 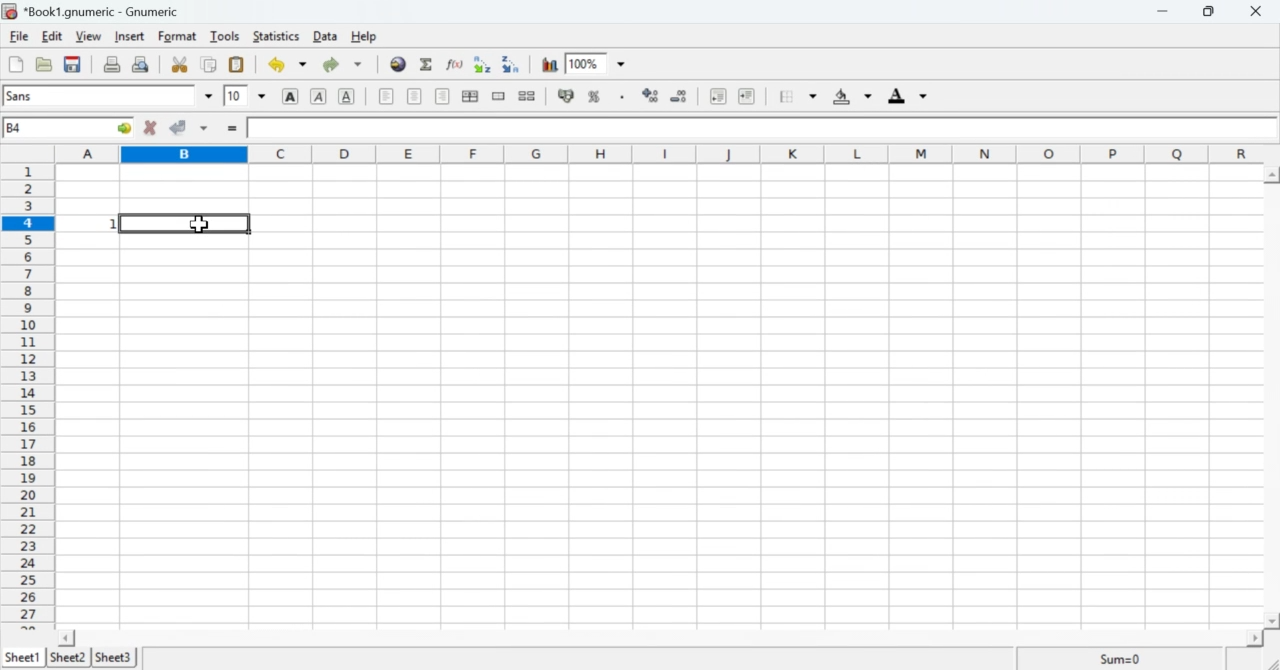 What do you see at coordinates (484, 65) in the screenshot?
I see `Sort into ascending` at bounding box center [484, 65].